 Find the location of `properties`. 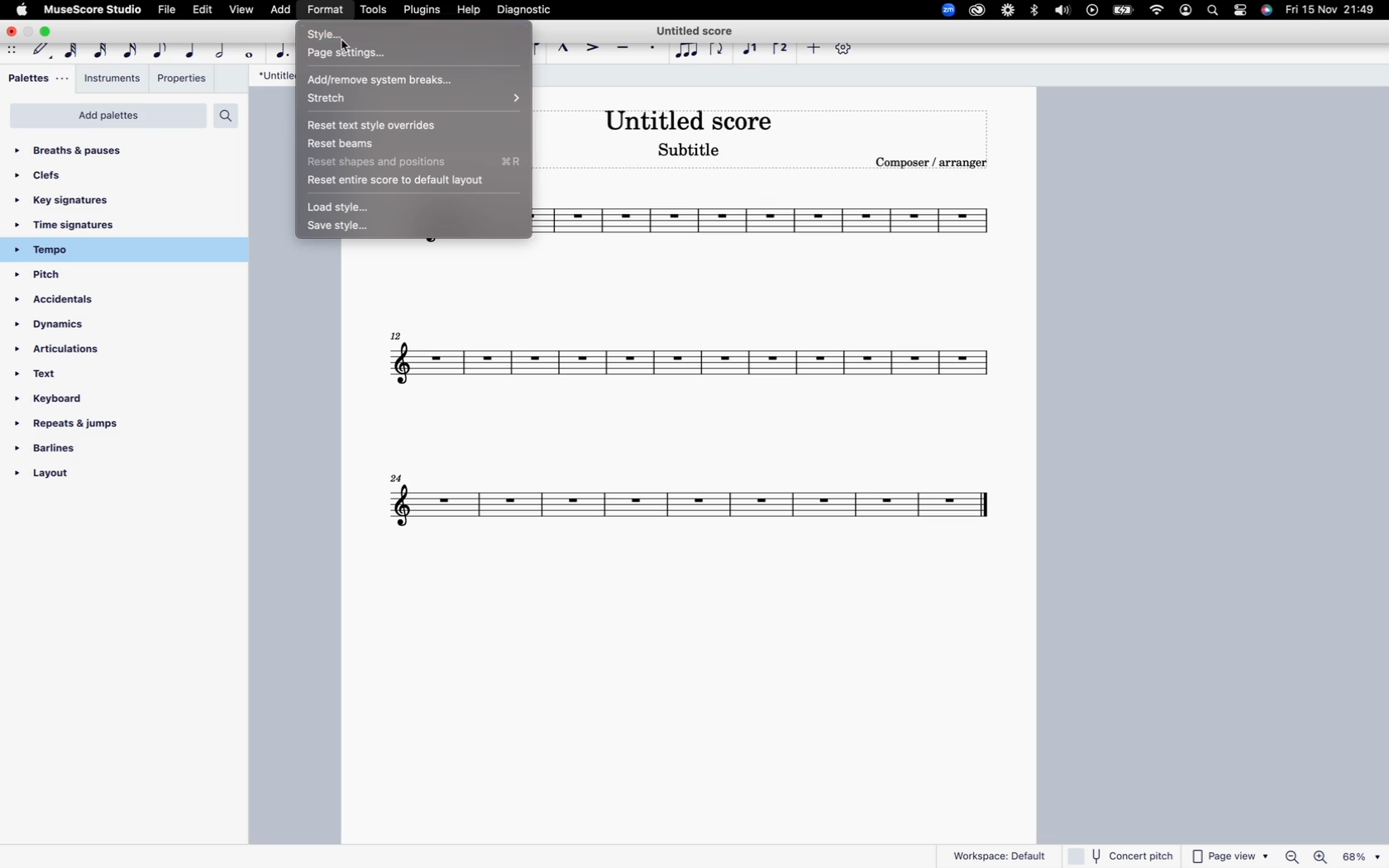

properties is located at coordinates (183, 81).